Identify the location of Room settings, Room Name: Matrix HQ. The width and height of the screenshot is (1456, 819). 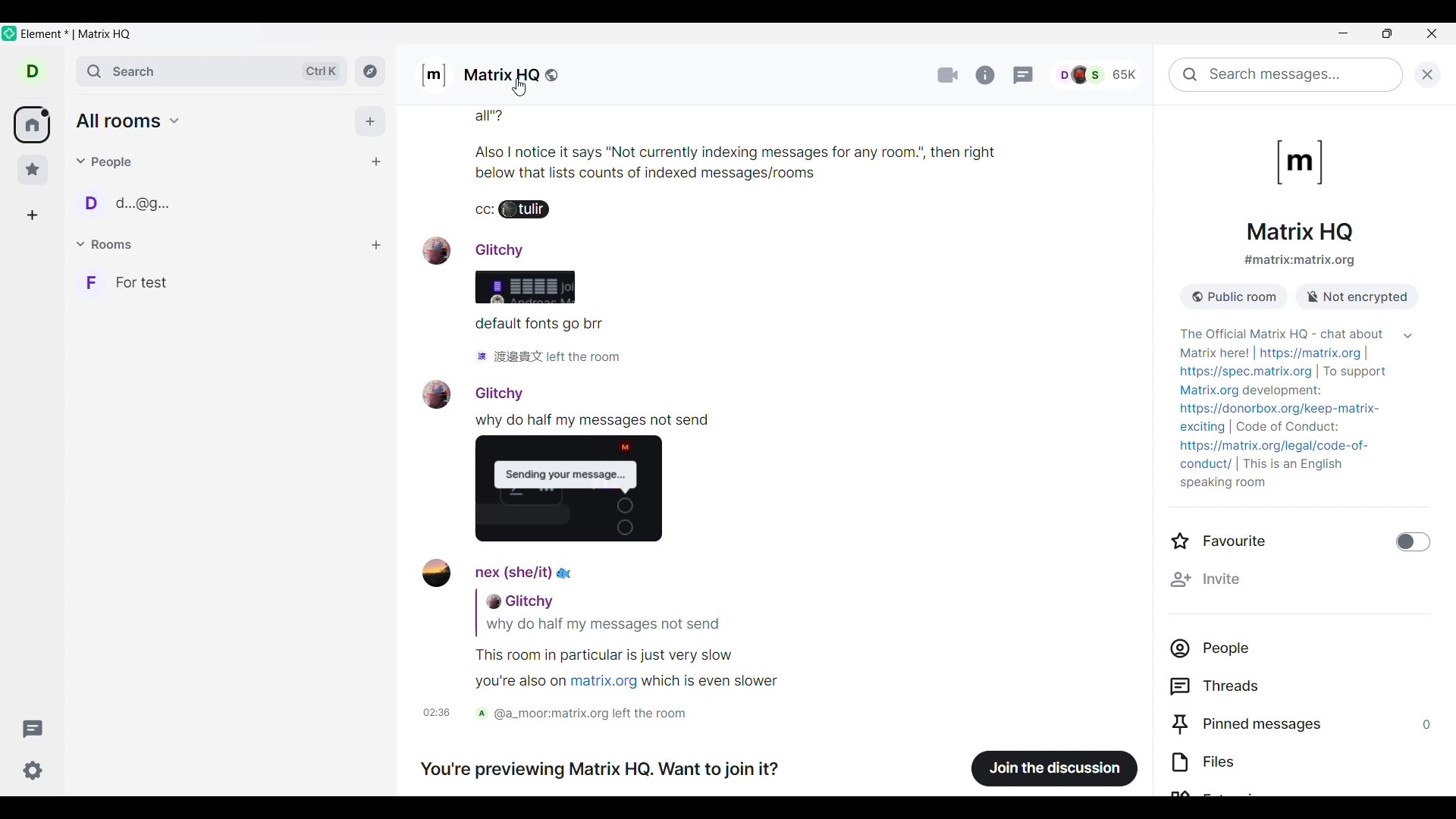
(494, 74).